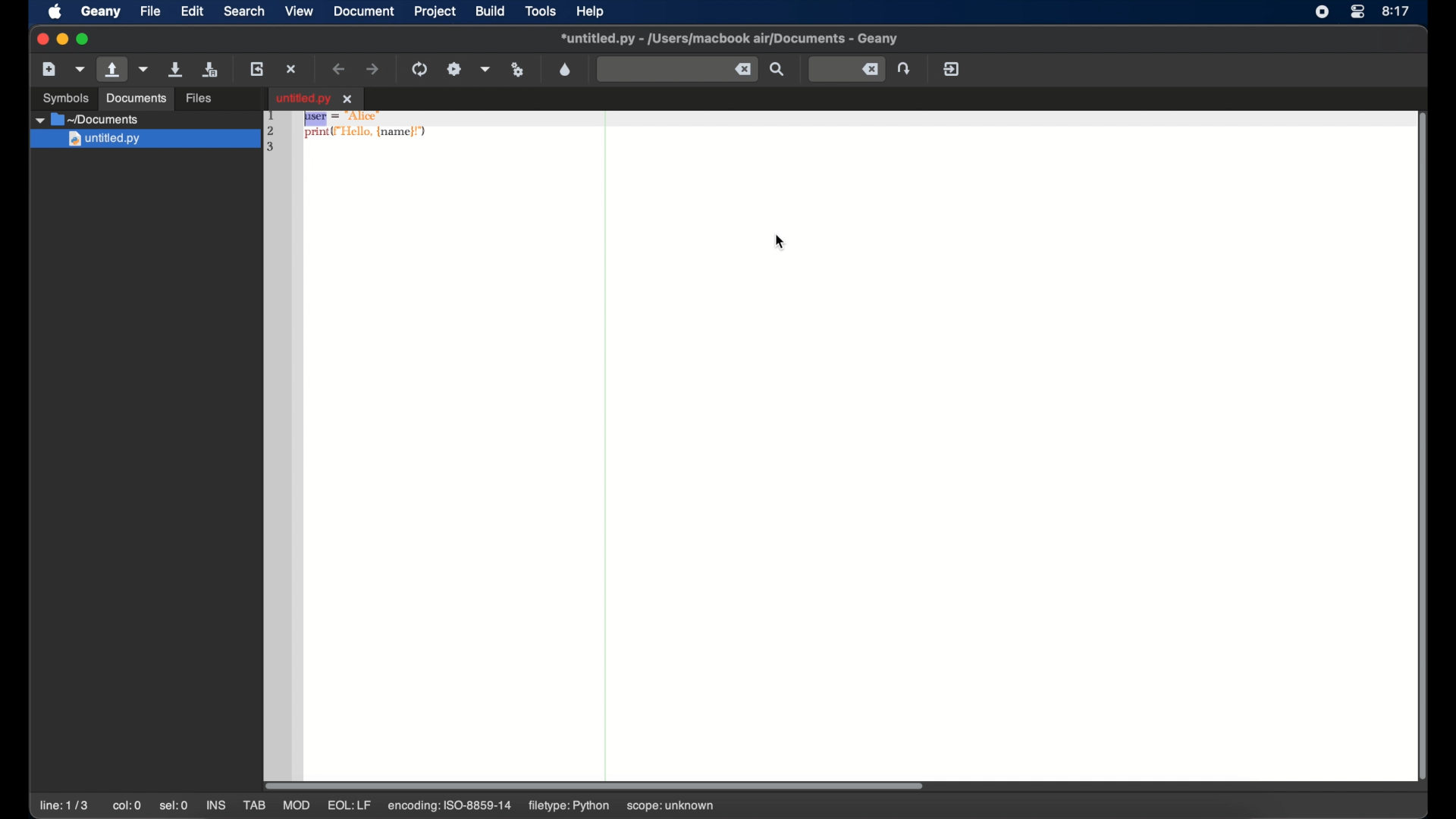 The width and height of the screenshot is (1456, 819). I want to click on python syntax, so click(351, 134).